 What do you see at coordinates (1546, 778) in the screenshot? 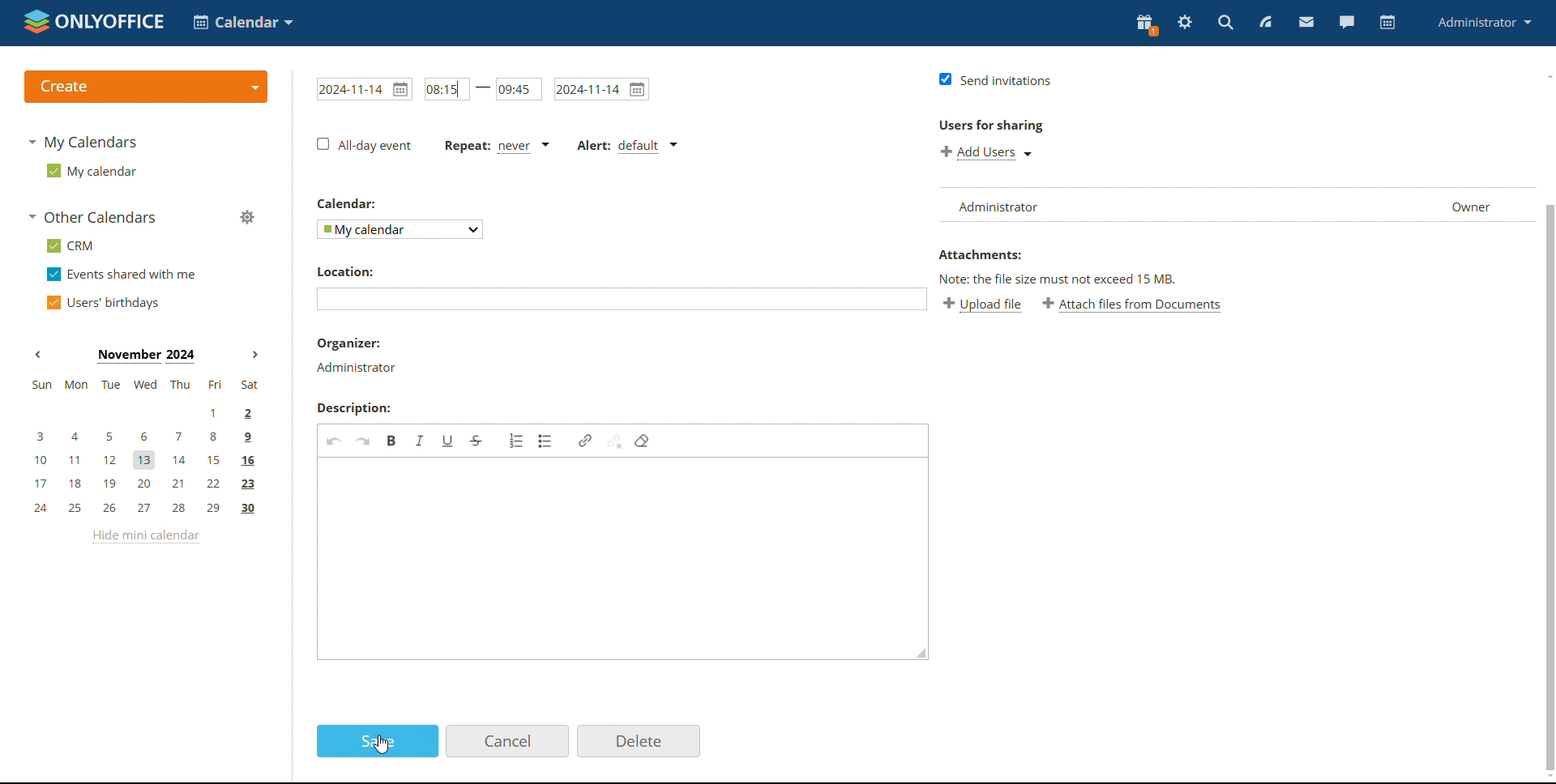
I see `scroll down` at bounding box center [1546, 778].